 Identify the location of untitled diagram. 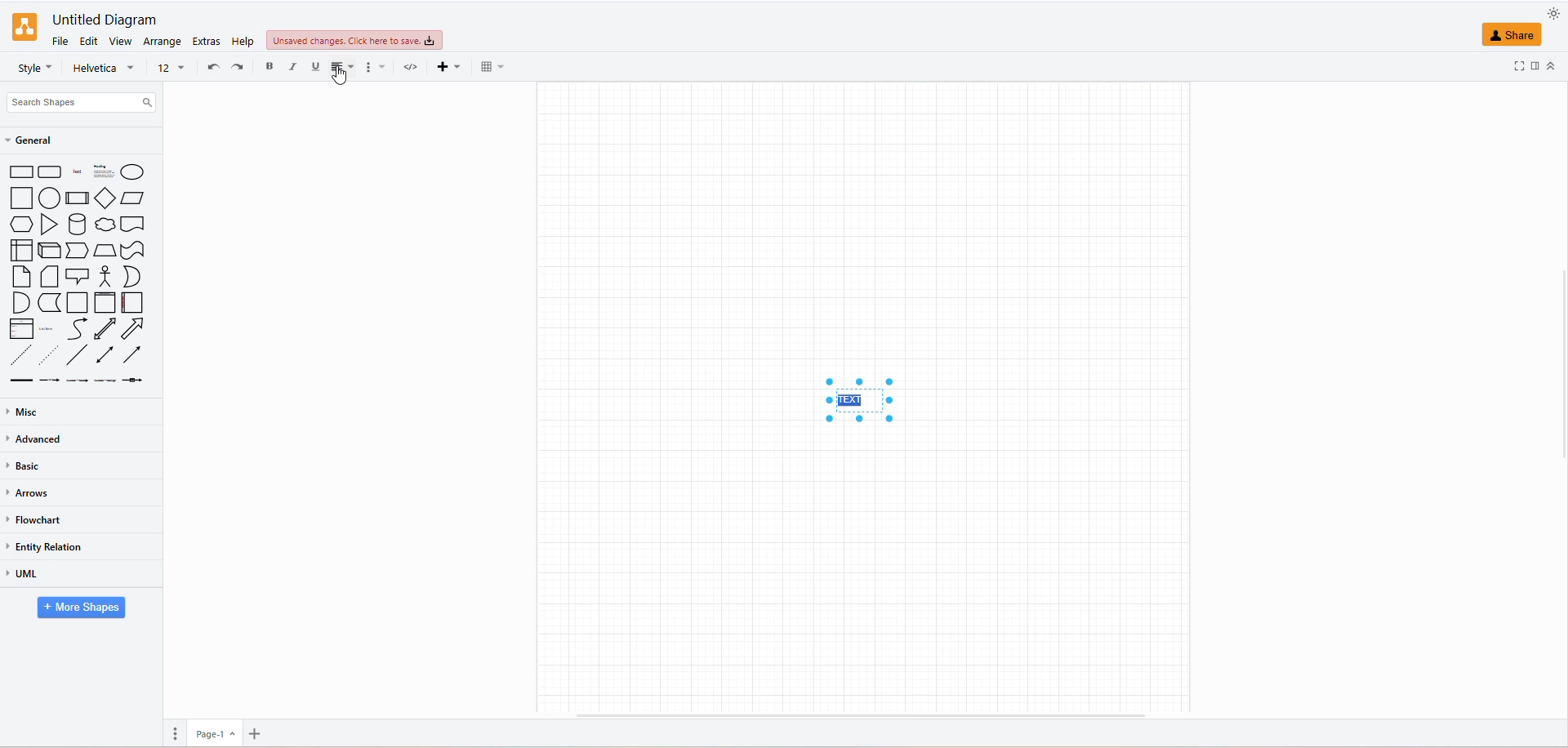
(100, 20).